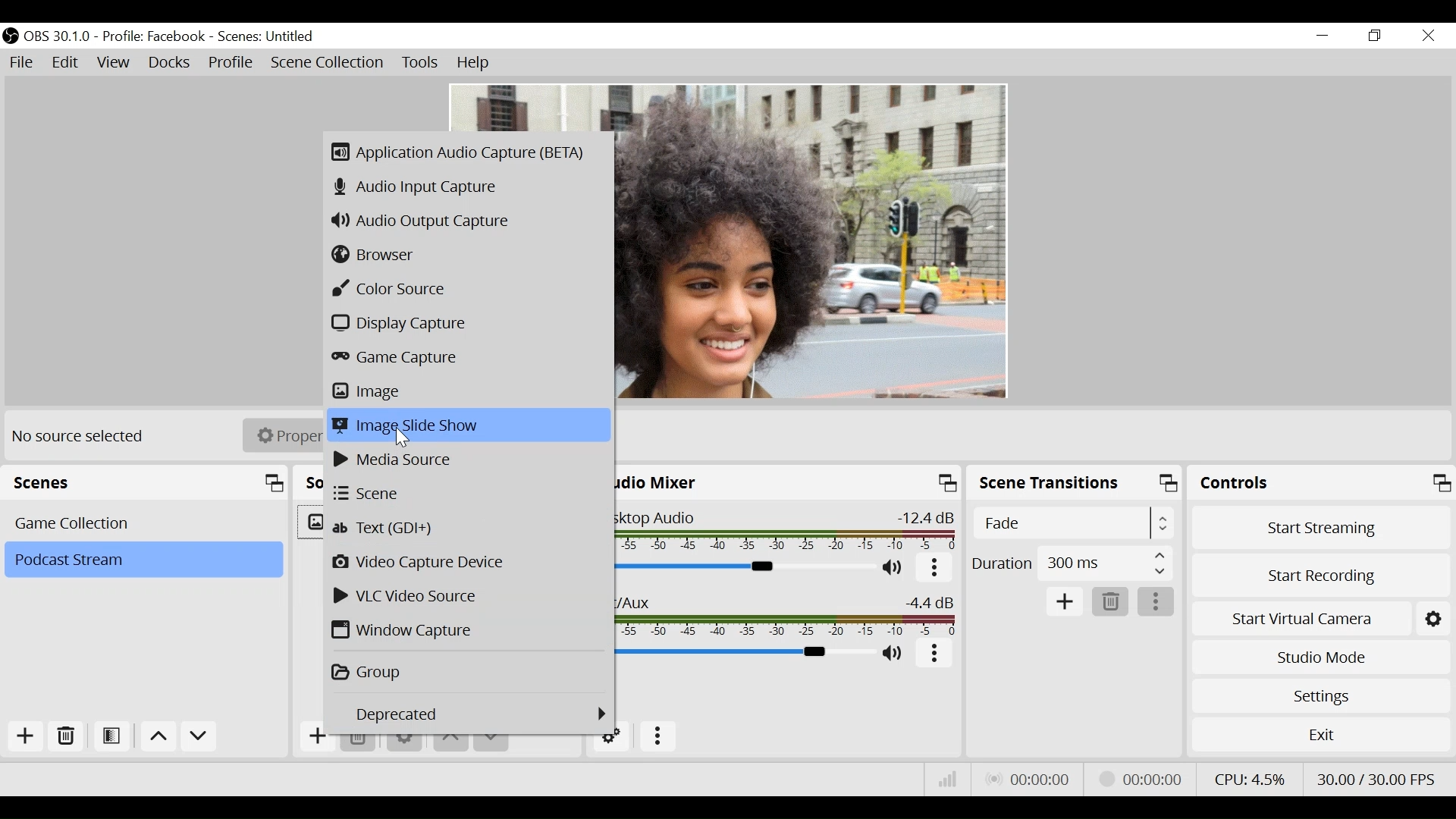 The height and width of the screenshot is (819, 1456). I want to click on Display Capture, so click(466, 325).